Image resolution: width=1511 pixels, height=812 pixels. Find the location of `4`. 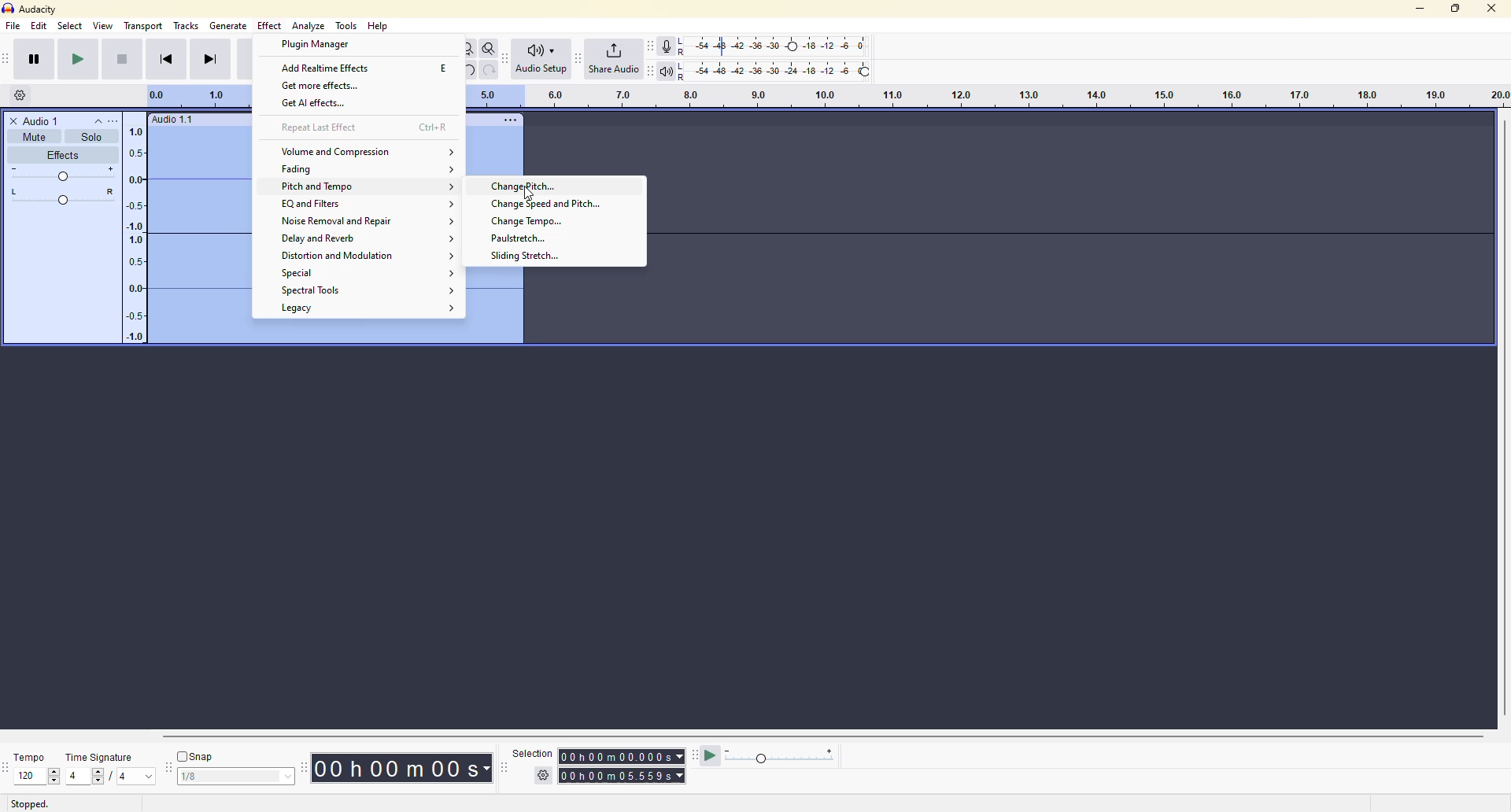

4 is located at coordinates (74, 776).